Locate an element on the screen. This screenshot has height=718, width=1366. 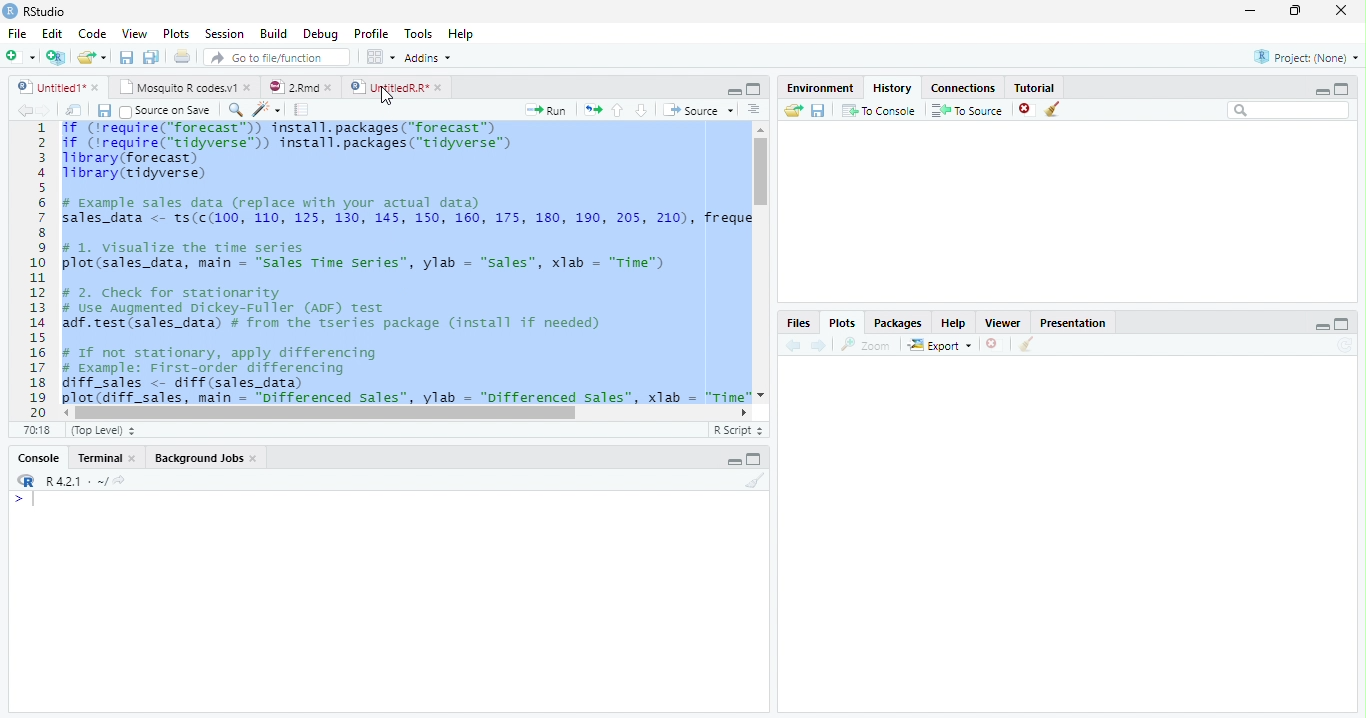
Next is located at coordinates (45, 110).